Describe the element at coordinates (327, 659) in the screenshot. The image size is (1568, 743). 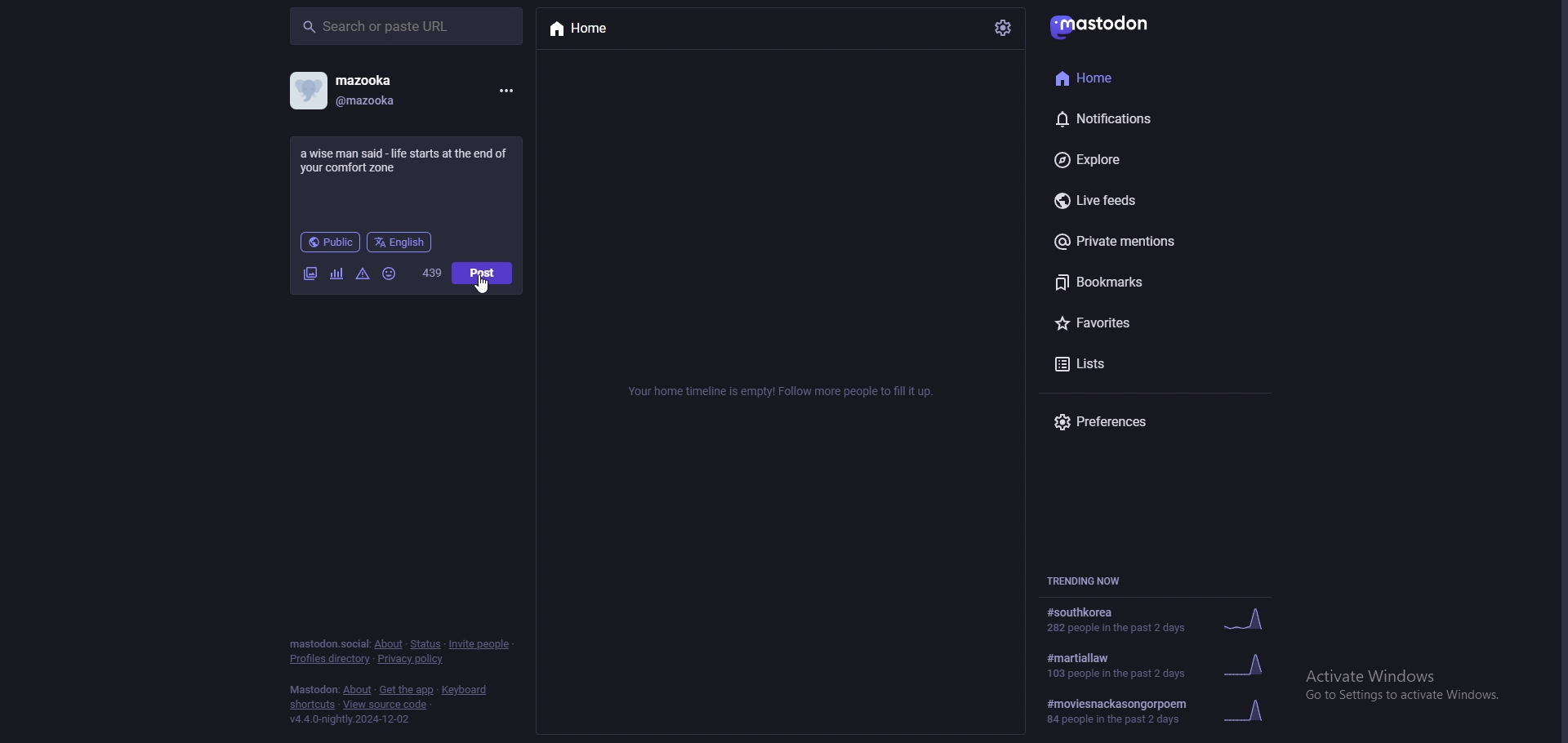
I see `profiles directory` at that location.